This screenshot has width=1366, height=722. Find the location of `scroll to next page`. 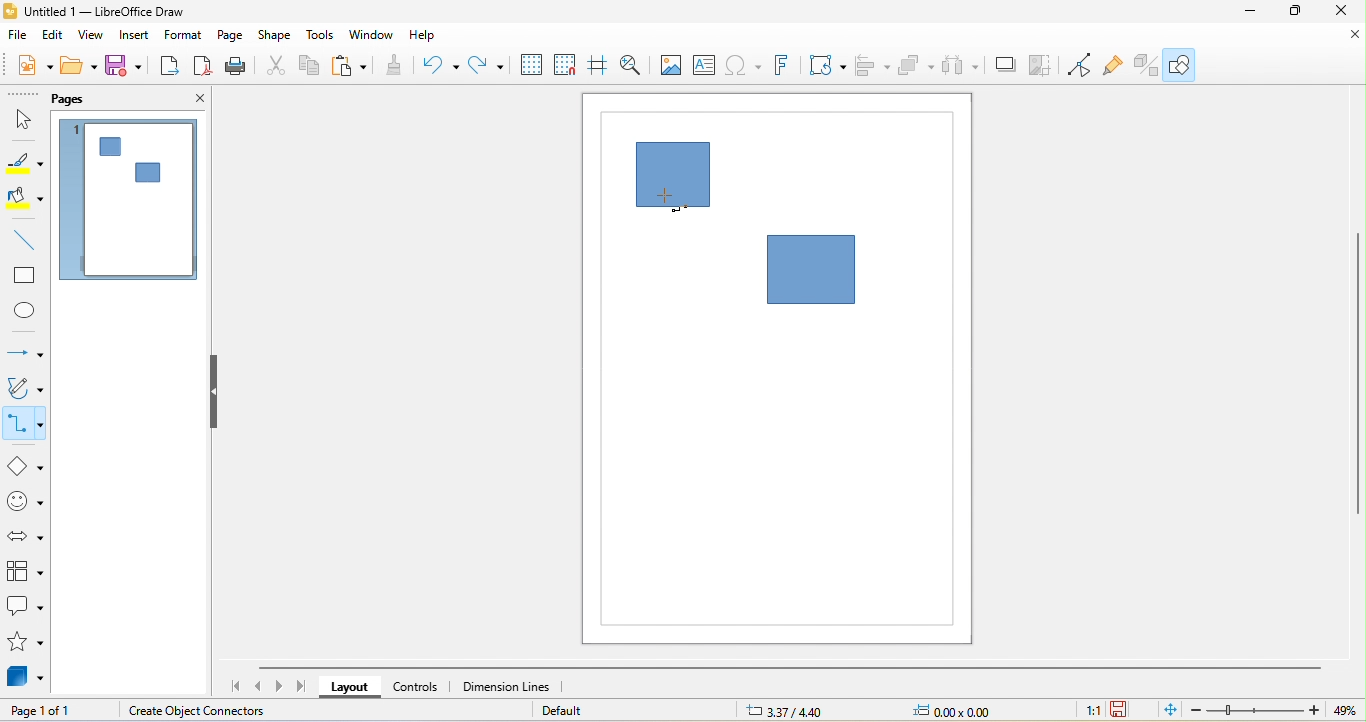

scroll to next page is located at coordinates (280, 688).